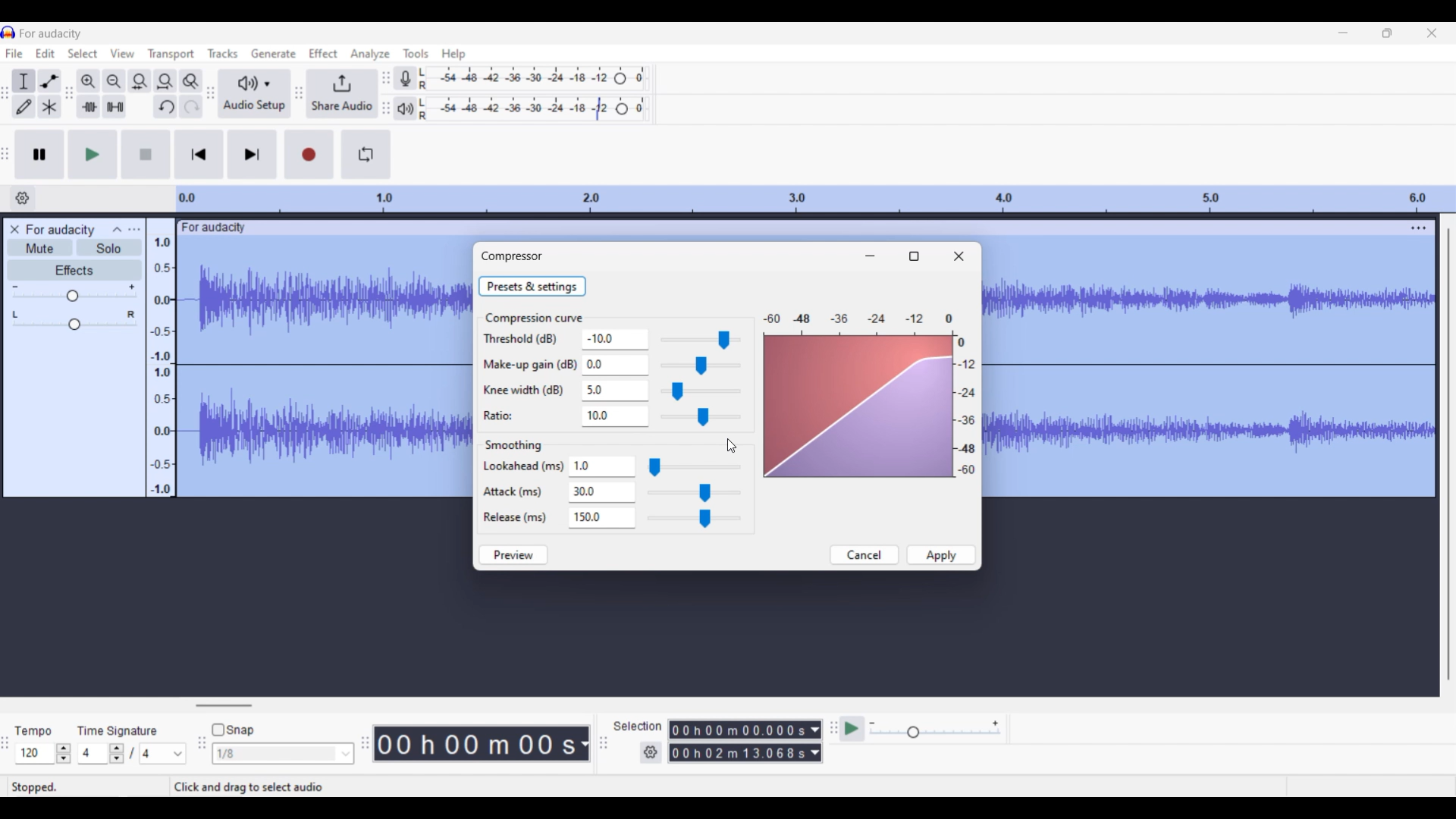 The image size is (1456, 819). I want to click on Release slider, so click(695, 518).